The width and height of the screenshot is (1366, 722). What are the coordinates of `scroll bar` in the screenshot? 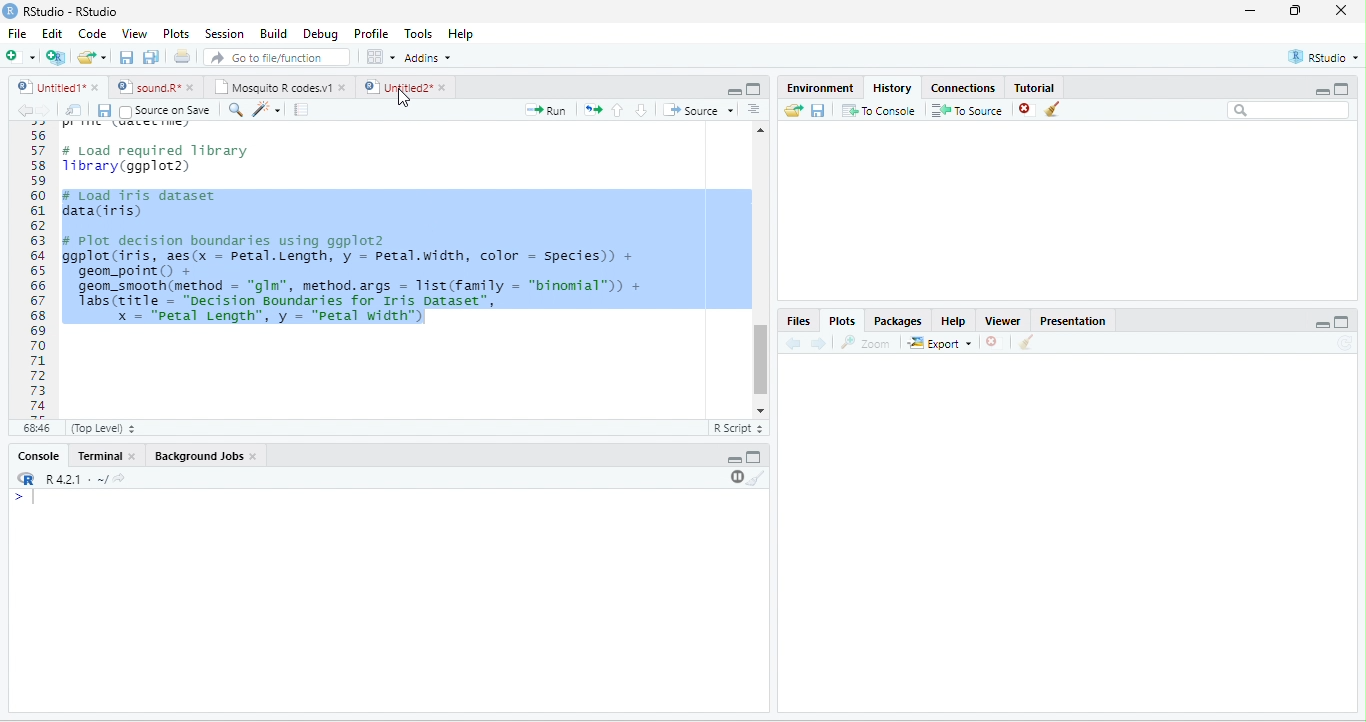 It's located at (761, 360).